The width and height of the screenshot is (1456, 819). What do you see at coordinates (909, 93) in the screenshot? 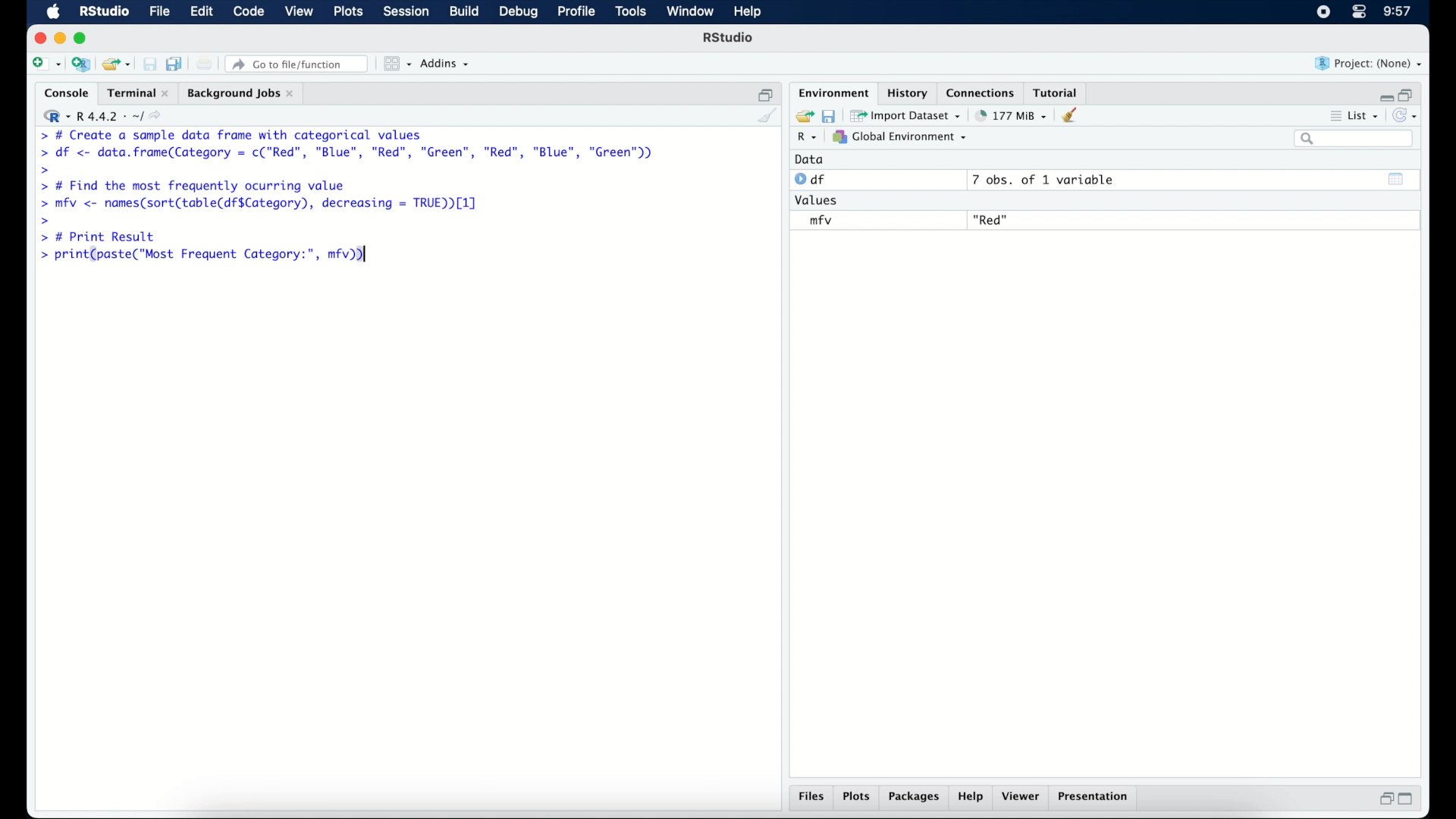
I see `history` at bounding box center [909, 93].